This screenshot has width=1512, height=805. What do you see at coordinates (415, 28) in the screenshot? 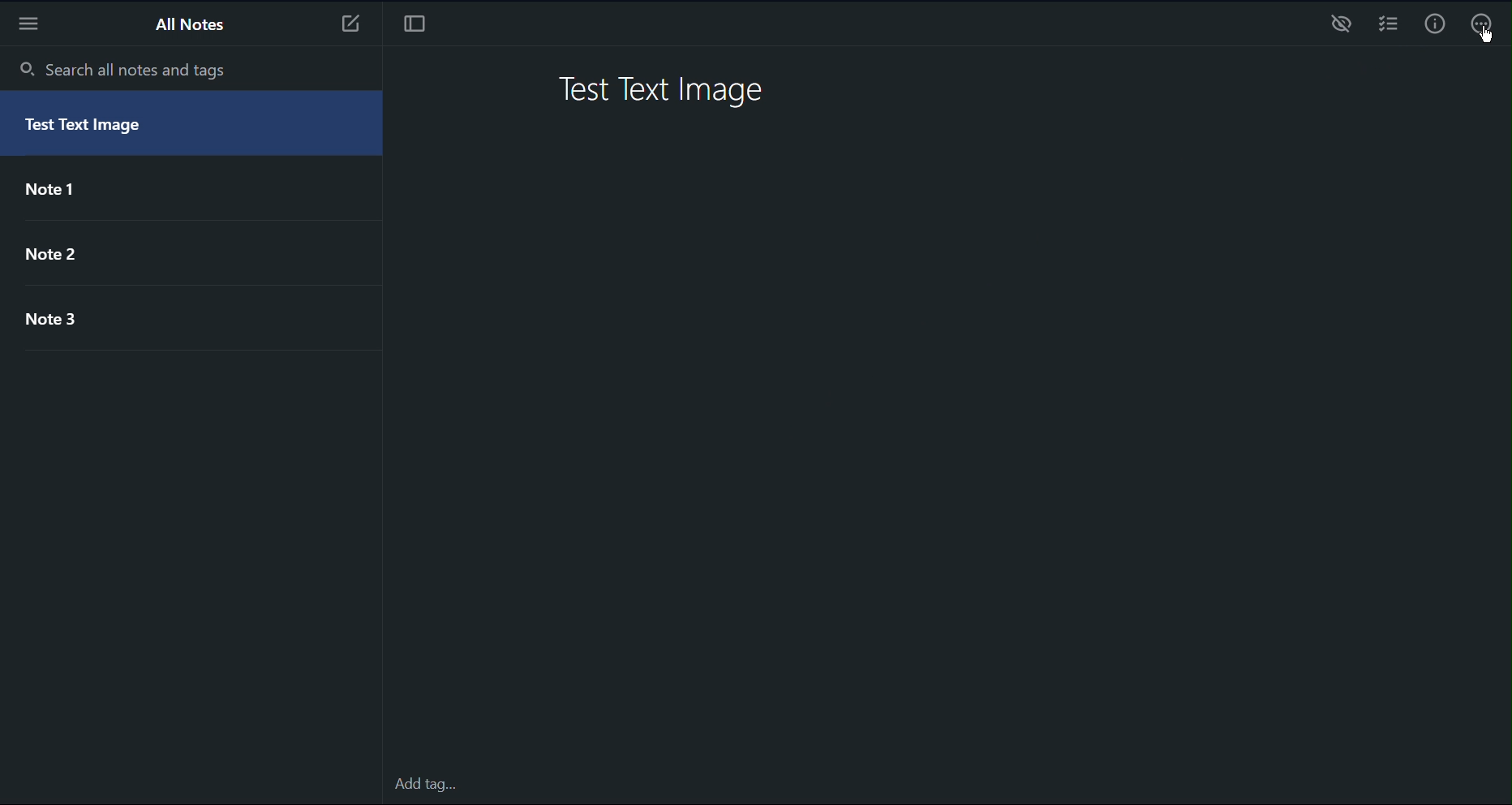
I see `Focus Mode` at bounding box center [415, 28].